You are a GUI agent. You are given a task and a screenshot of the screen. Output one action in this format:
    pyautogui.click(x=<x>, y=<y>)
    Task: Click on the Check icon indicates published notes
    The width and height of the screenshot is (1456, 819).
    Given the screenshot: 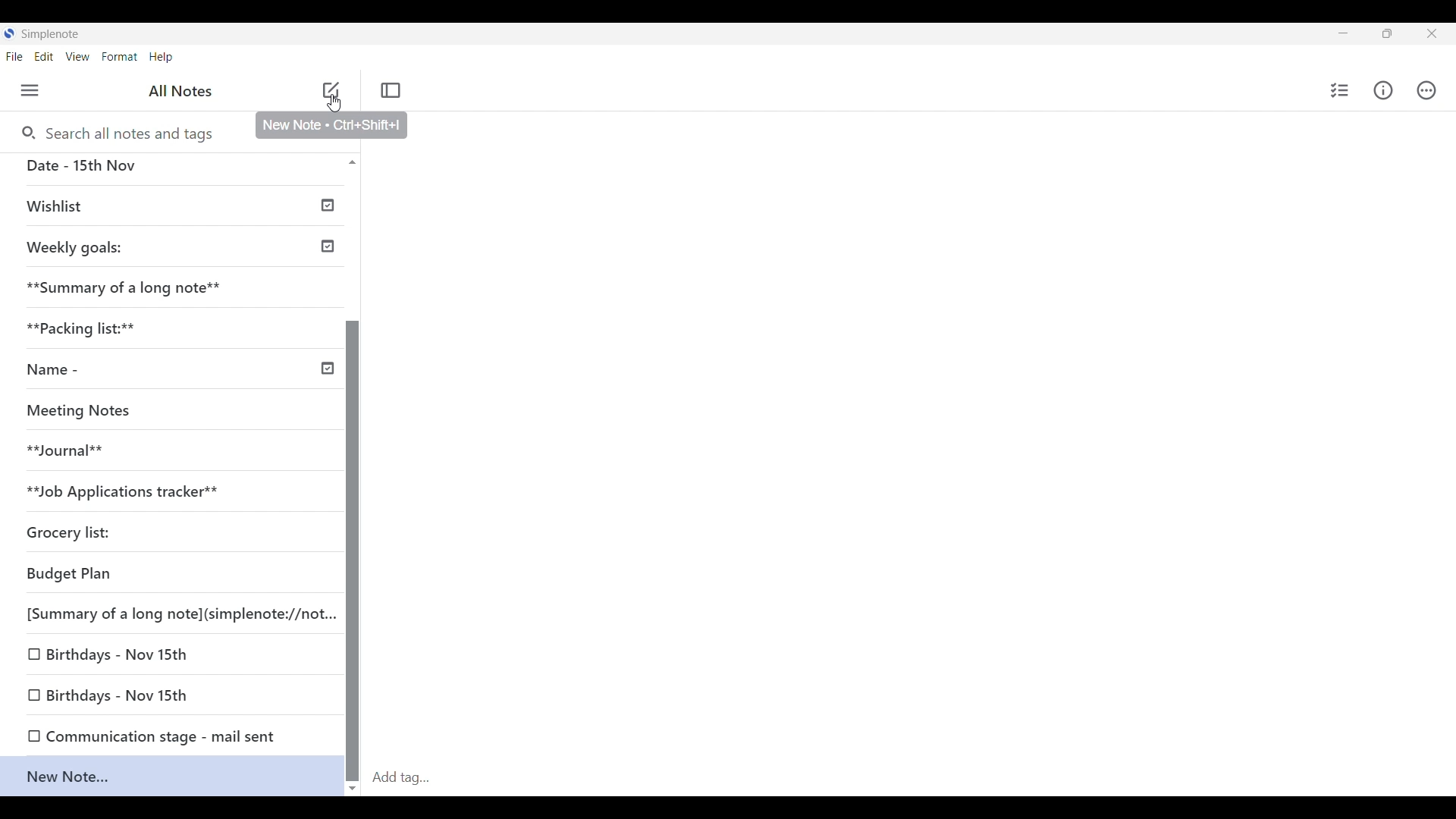 What is the action you would take?
    pyautogui.click(x=328, y=287)
    